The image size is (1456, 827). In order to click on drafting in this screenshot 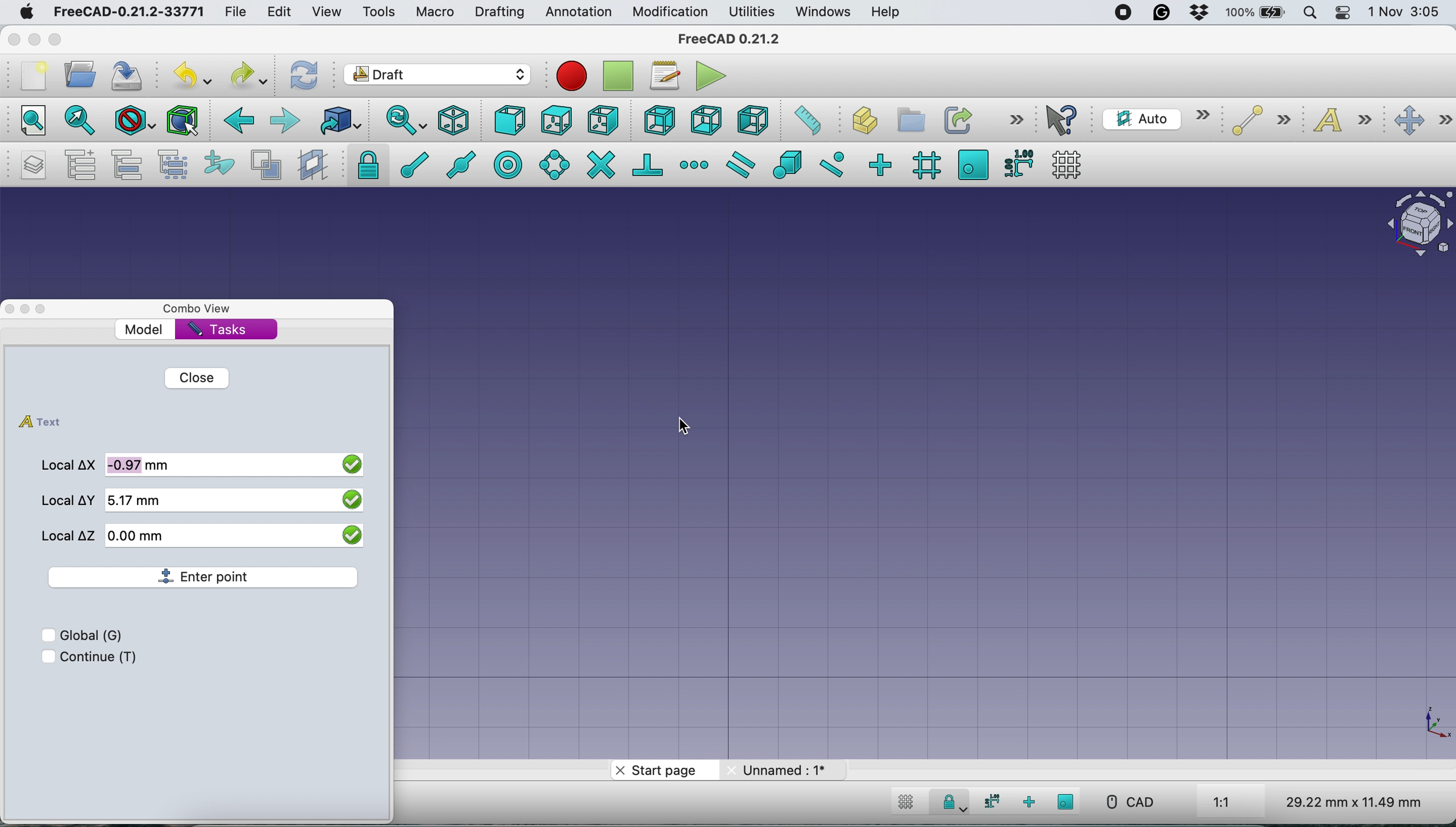, I will do `click(497, 12)`.